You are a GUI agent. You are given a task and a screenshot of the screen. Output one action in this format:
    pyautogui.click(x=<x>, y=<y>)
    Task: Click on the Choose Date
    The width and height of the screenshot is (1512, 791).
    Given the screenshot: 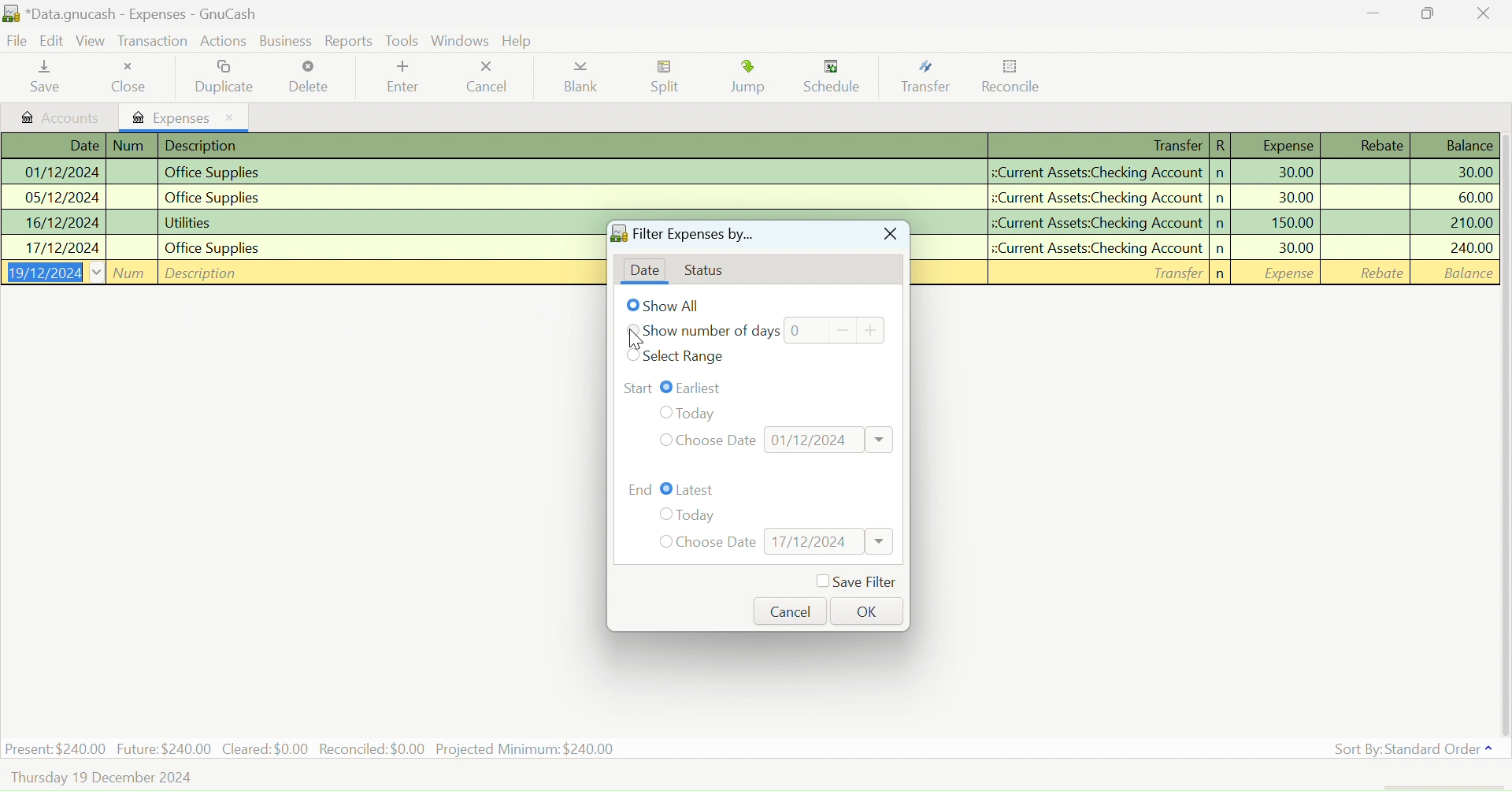 What is the action you would take?
    pyautogui.click(x=718, y=439)
    